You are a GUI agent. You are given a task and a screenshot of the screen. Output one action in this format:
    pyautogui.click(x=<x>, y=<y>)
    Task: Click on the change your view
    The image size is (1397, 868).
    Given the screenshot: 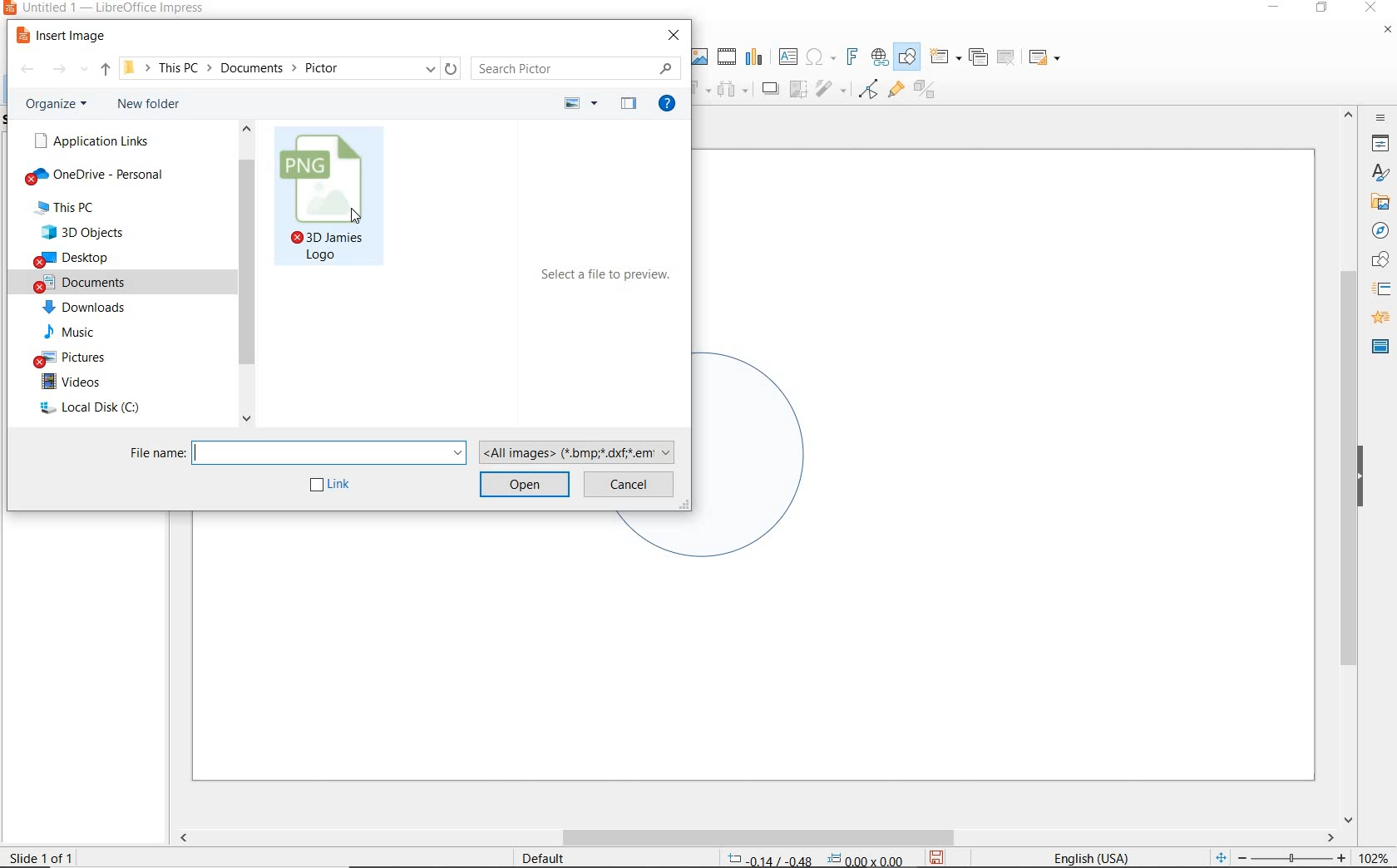 What is the action you would take?
    pyautogui.click(x=582, y=104)
    